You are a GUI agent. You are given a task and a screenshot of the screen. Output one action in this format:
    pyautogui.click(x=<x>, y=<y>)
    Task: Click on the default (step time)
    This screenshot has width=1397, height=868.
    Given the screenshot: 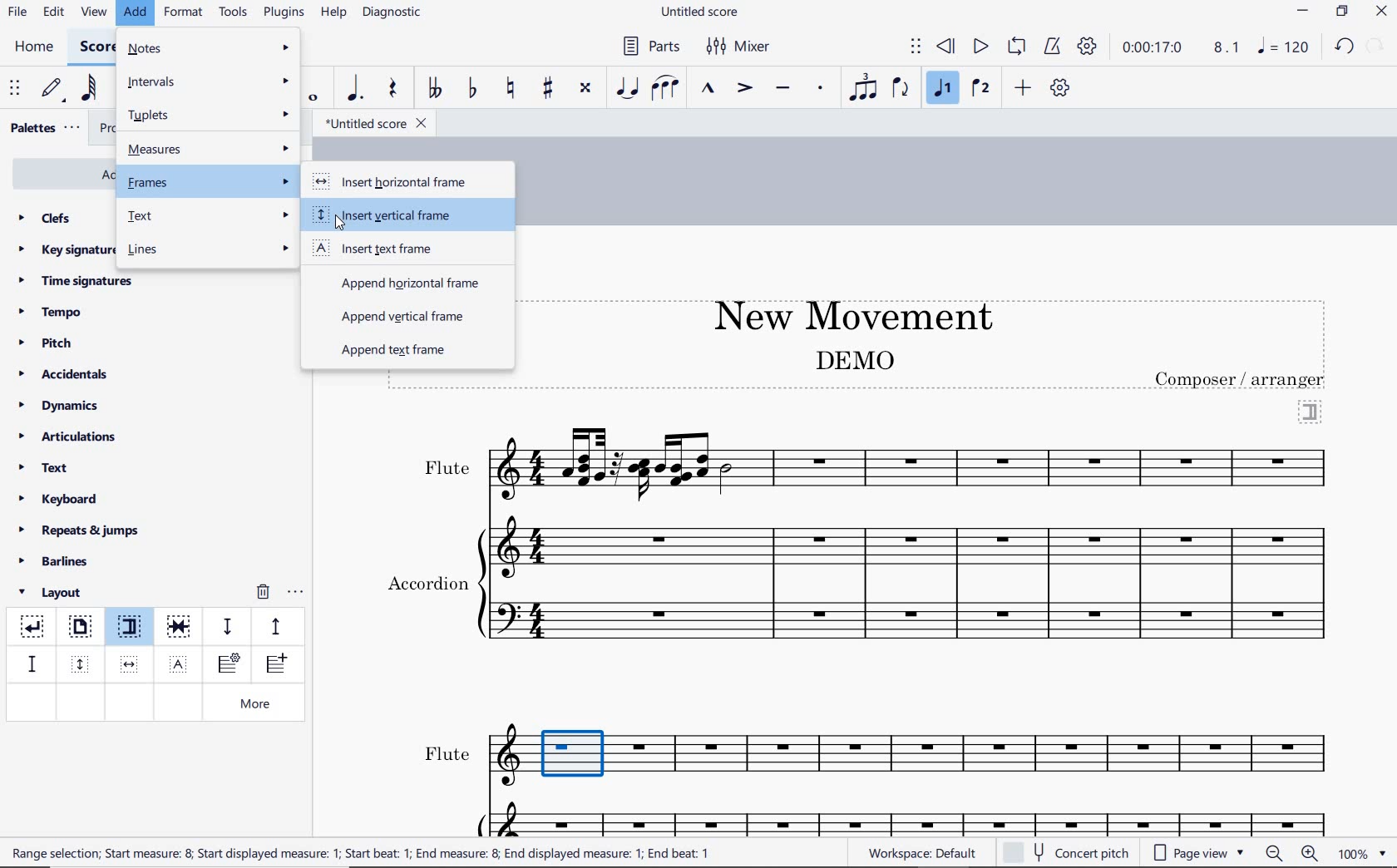 What is the action you would take?
    pyautogui.click(x=53, y=89)
    